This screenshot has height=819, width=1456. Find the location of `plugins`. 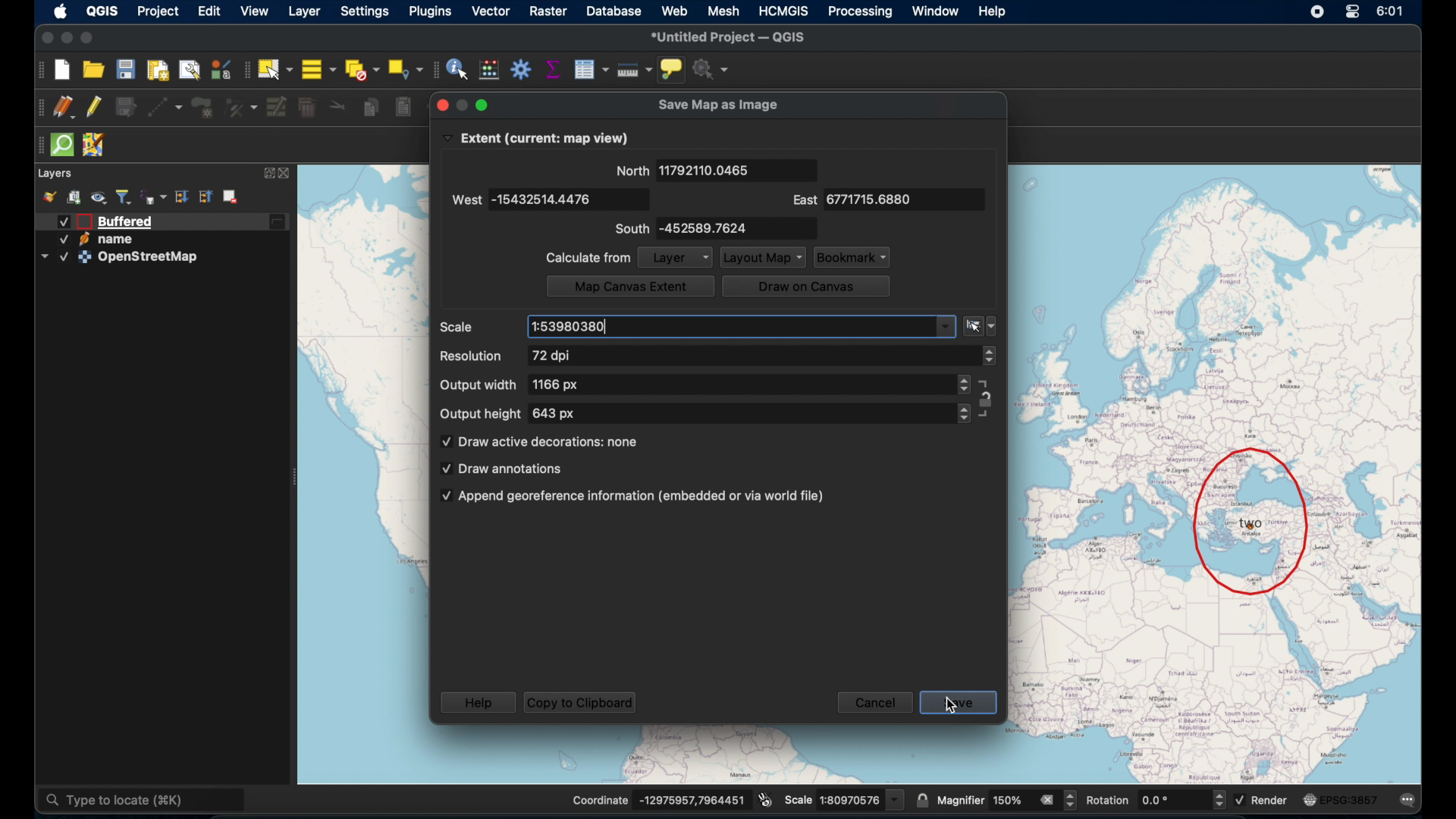

plugins is located at coordinates (430, 11).